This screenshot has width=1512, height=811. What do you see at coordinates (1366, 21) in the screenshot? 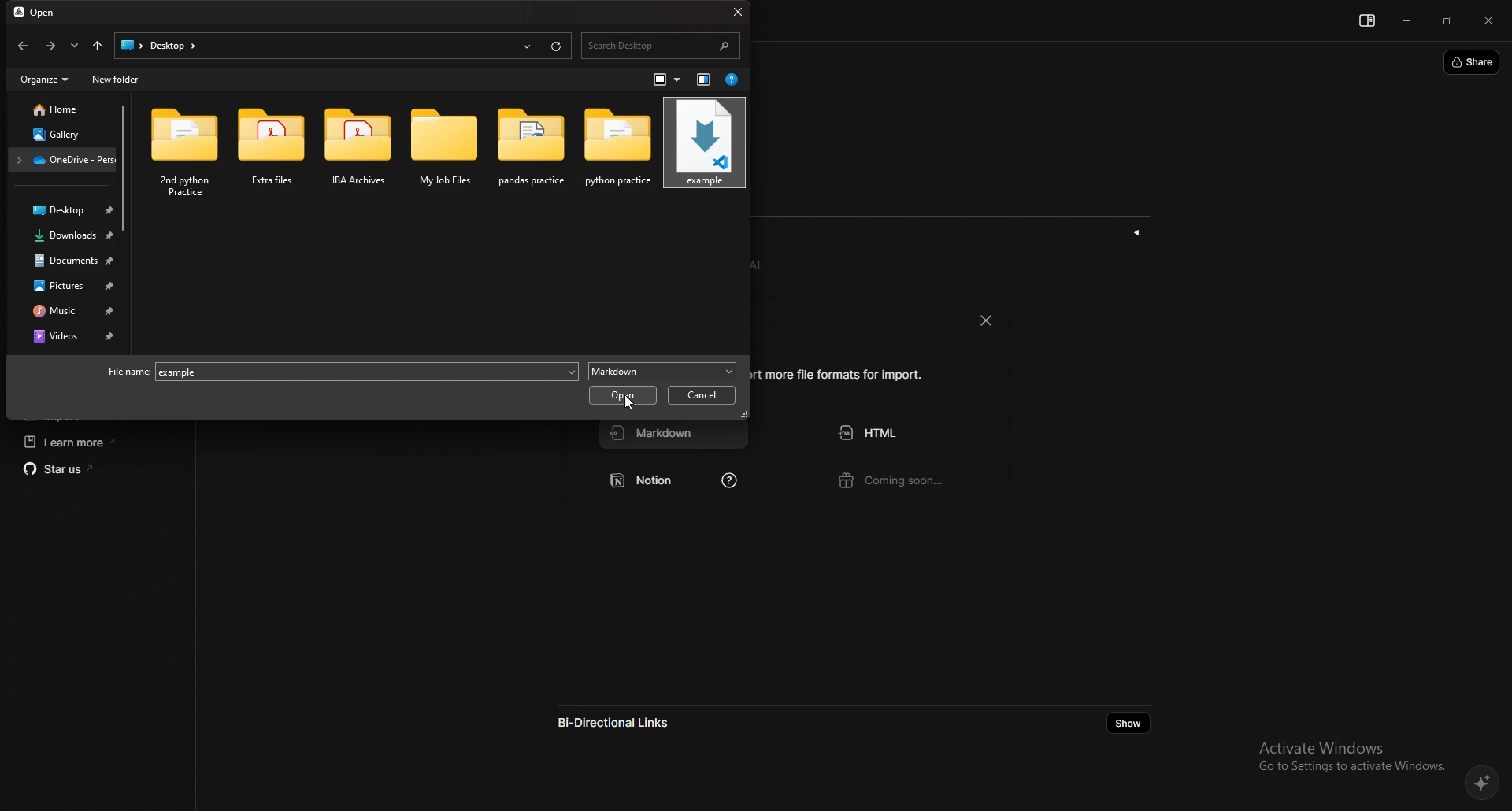
I see `show sidebar` at bounding box center [1366, 21].